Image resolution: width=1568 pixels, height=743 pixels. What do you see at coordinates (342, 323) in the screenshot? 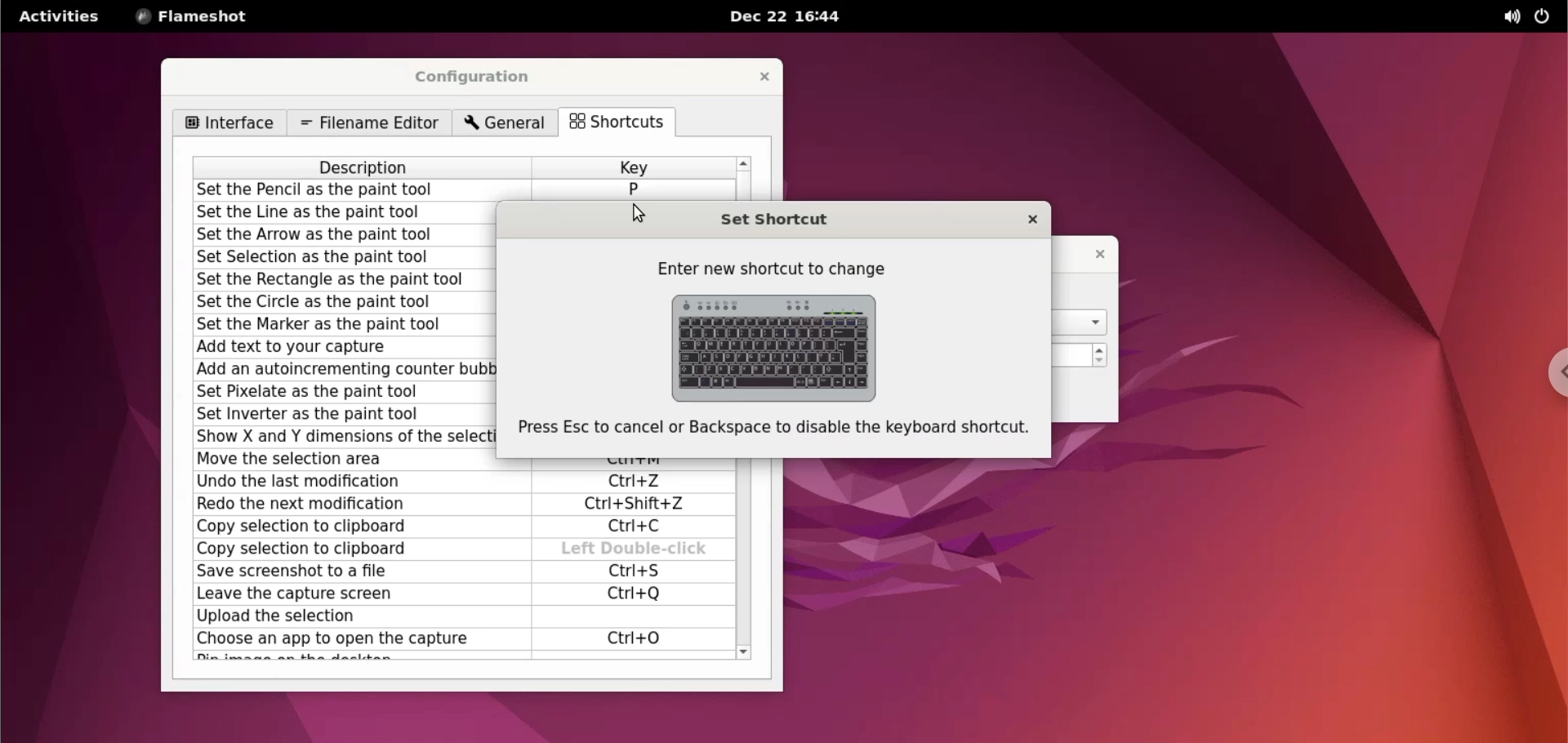
I see `set the marker as the paint tool` at bounding box center [342, 323].